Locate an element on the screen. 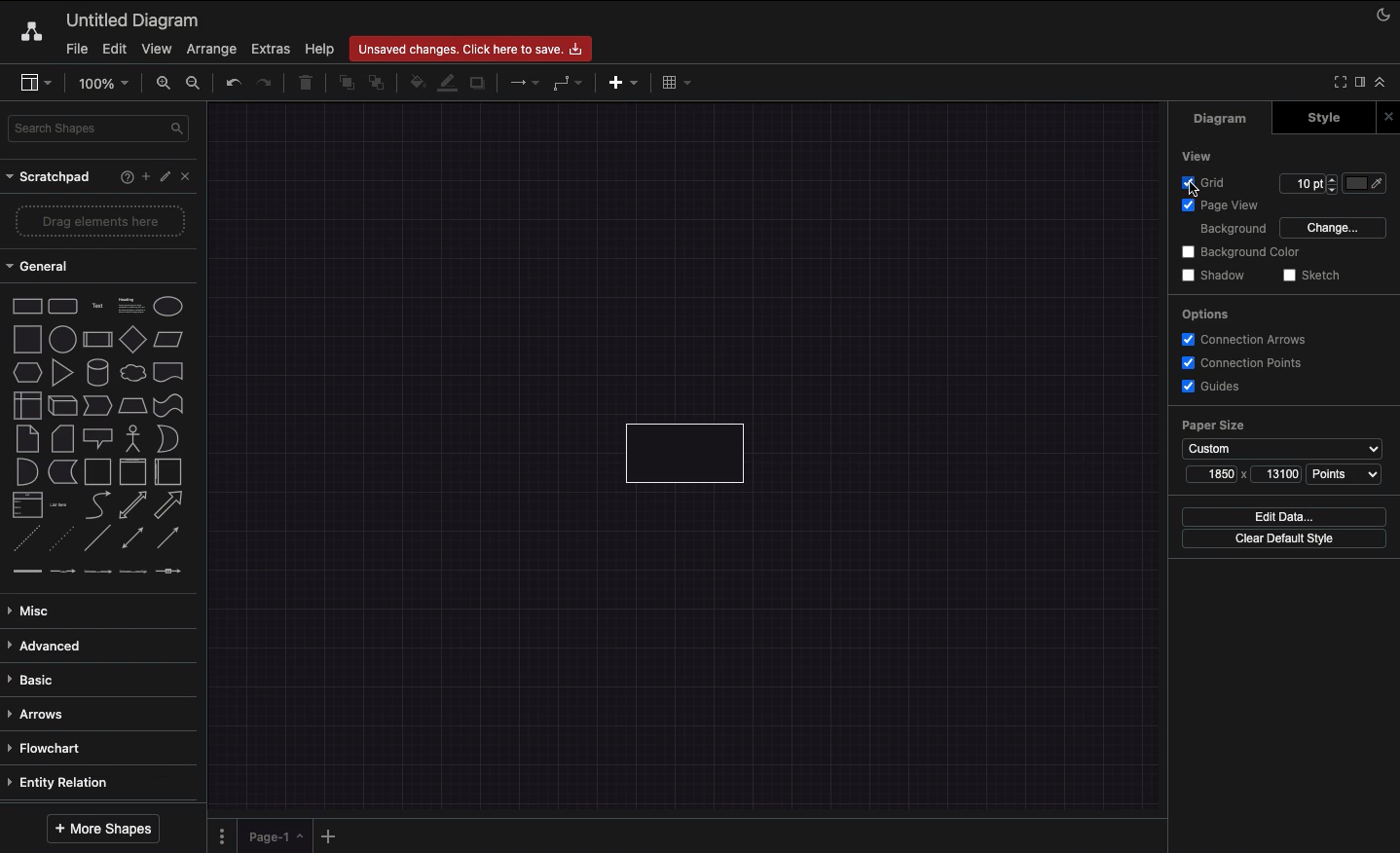 The width and height of the screenshot is (1400, 853). Fill color is located at coordinates (414, 86).